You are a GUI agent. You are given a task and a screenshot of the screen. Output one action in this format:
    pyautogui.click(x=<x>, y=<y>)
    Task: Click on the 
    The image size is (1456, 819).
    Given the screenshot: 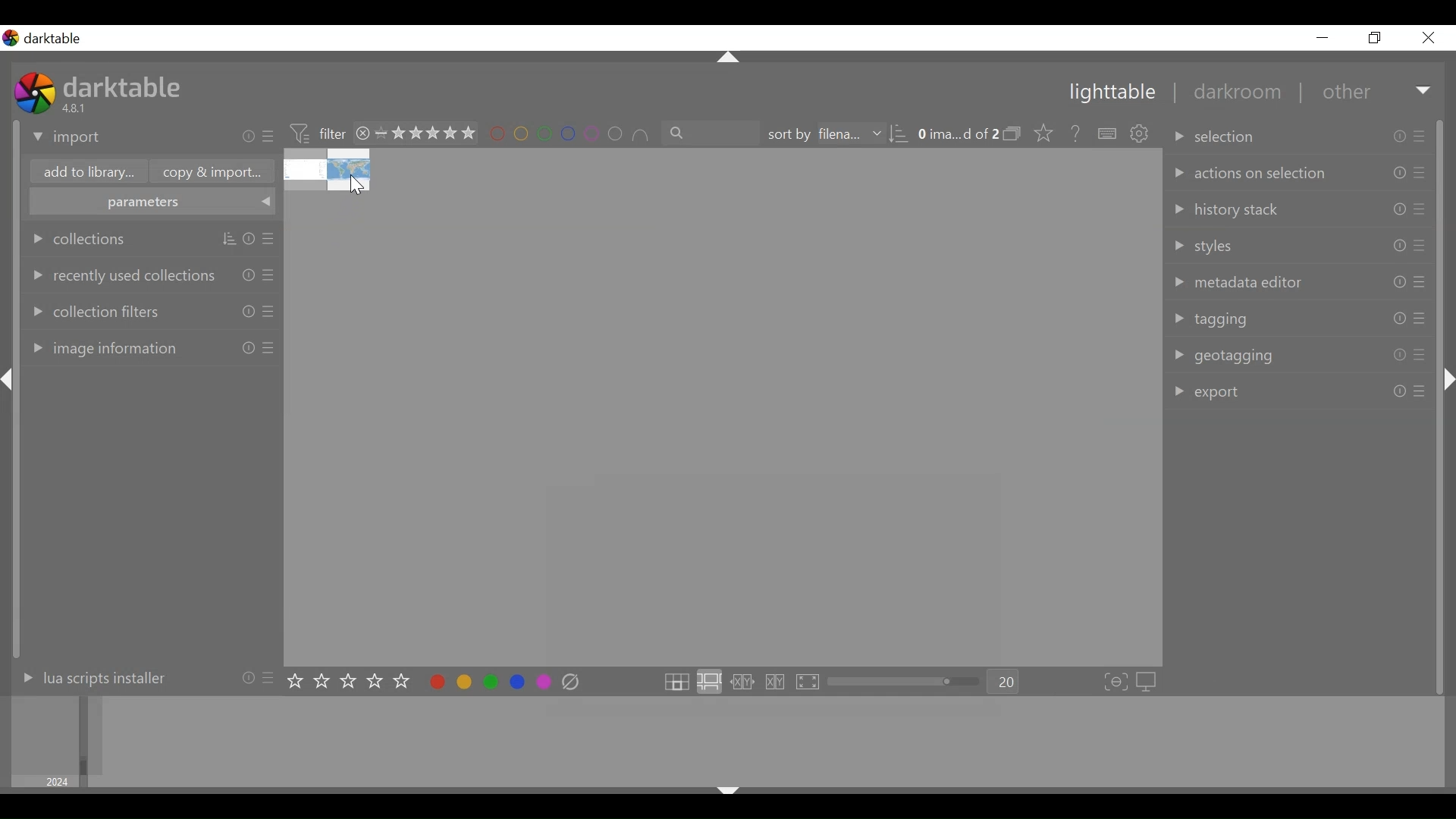 What is the action you would take?
    pyautogui.click(x=248, y=350)
    